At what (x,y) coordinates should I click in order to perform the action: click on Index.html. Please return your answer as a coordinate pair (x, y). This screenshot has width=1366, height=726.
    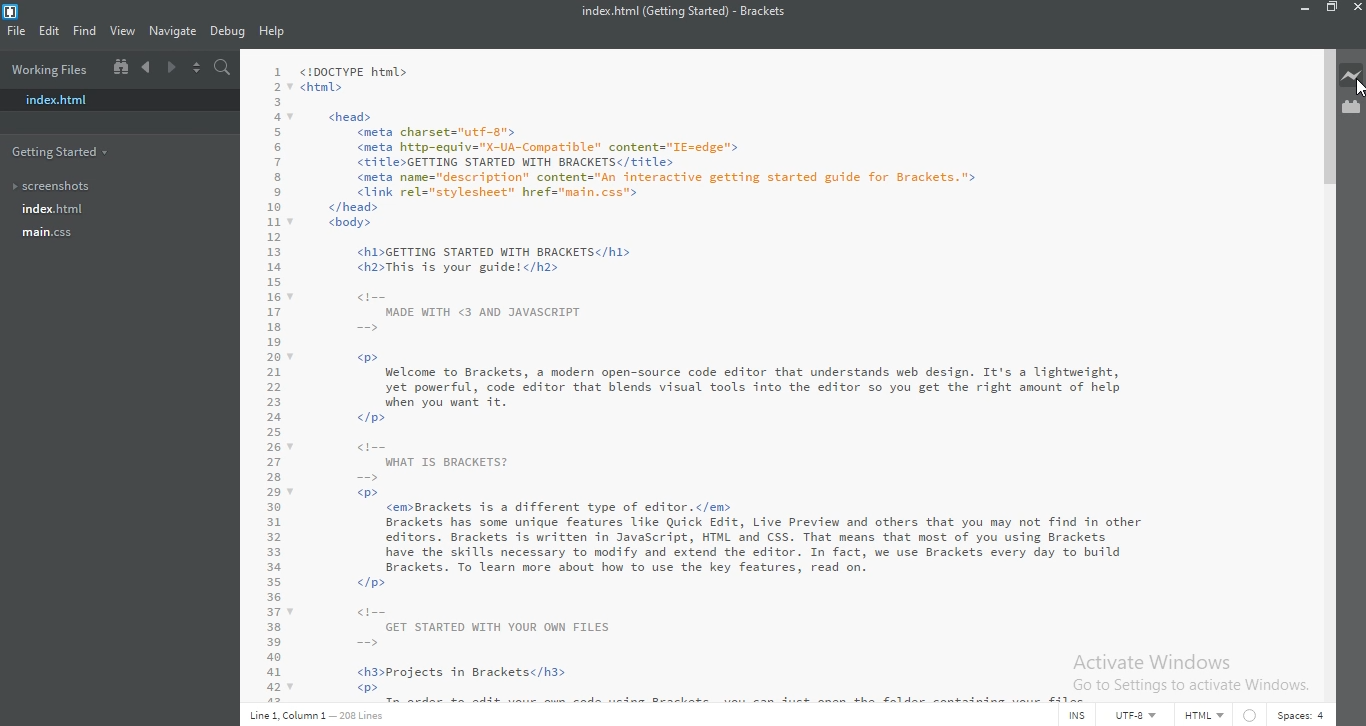
    Looking at the image, I should click on (113, 102).